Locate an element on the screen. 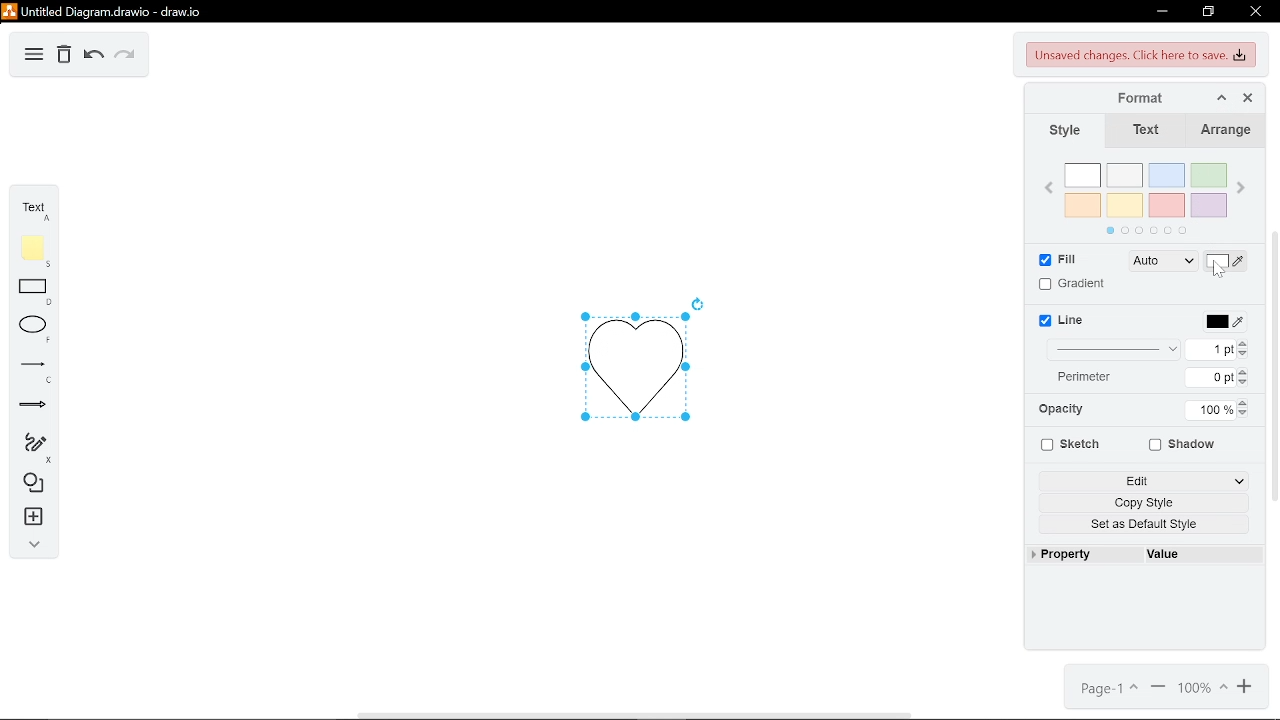 The image size is (1280, 720). gradient is located at coordinates (1071, 284).